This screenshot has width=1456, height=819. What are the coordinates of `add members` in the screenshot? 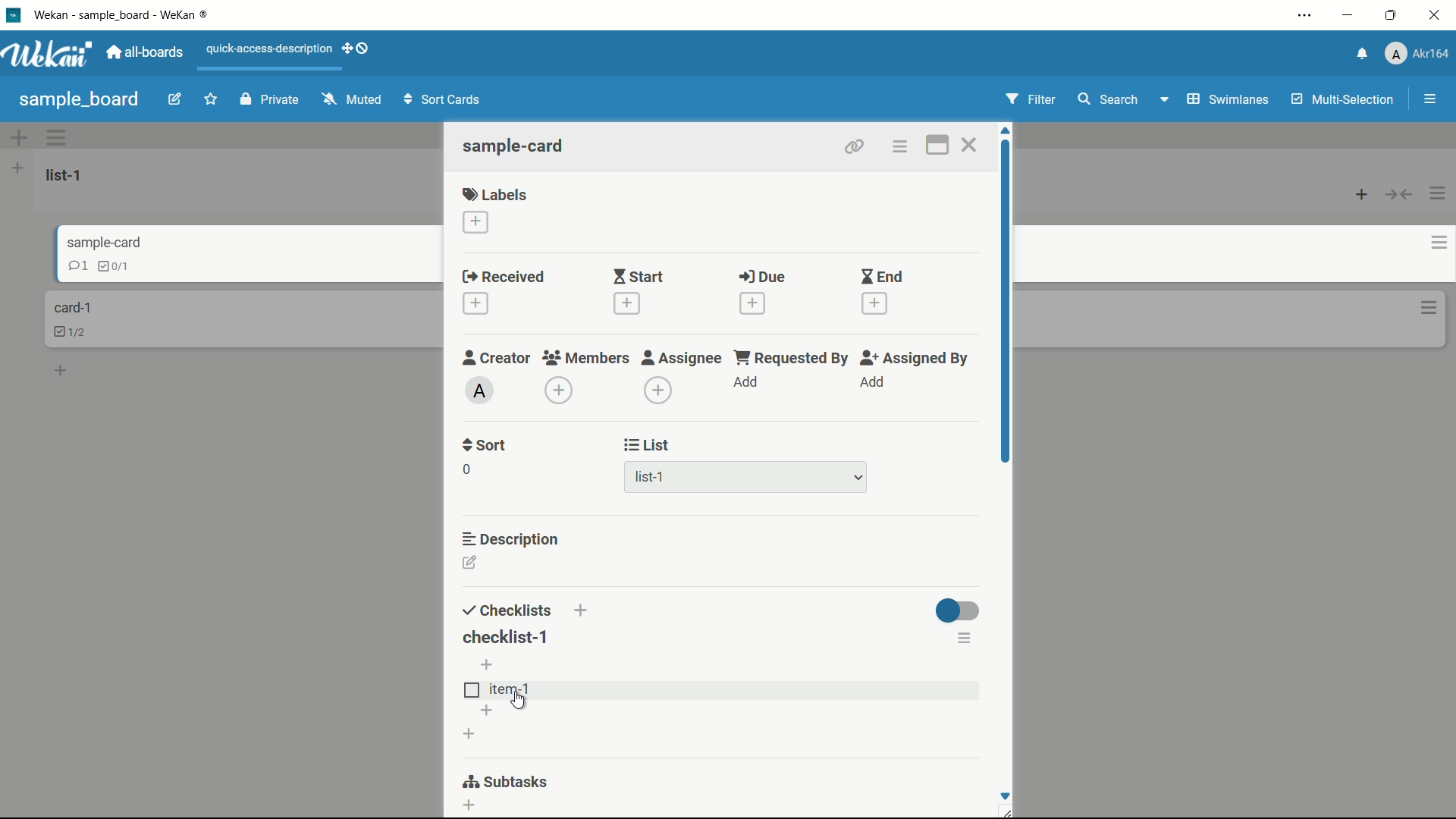 It's located at (559, 389).